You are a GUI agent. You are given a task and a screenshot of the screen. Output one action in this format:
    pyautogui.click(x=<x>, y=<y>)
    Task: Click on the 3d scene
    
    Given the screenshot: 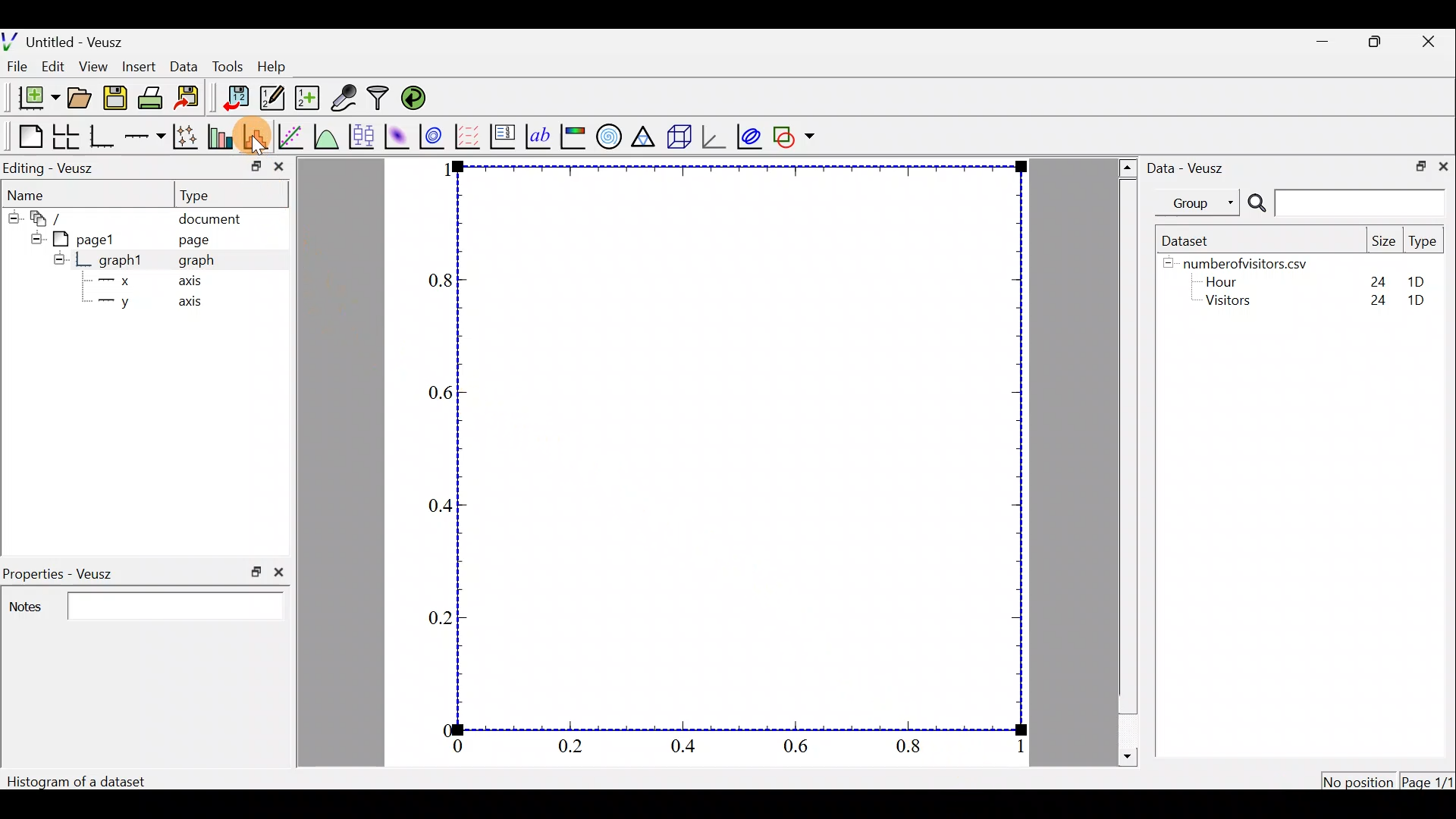 What is the action you would take?
    pyautogui.click(x=677, y=140)
    